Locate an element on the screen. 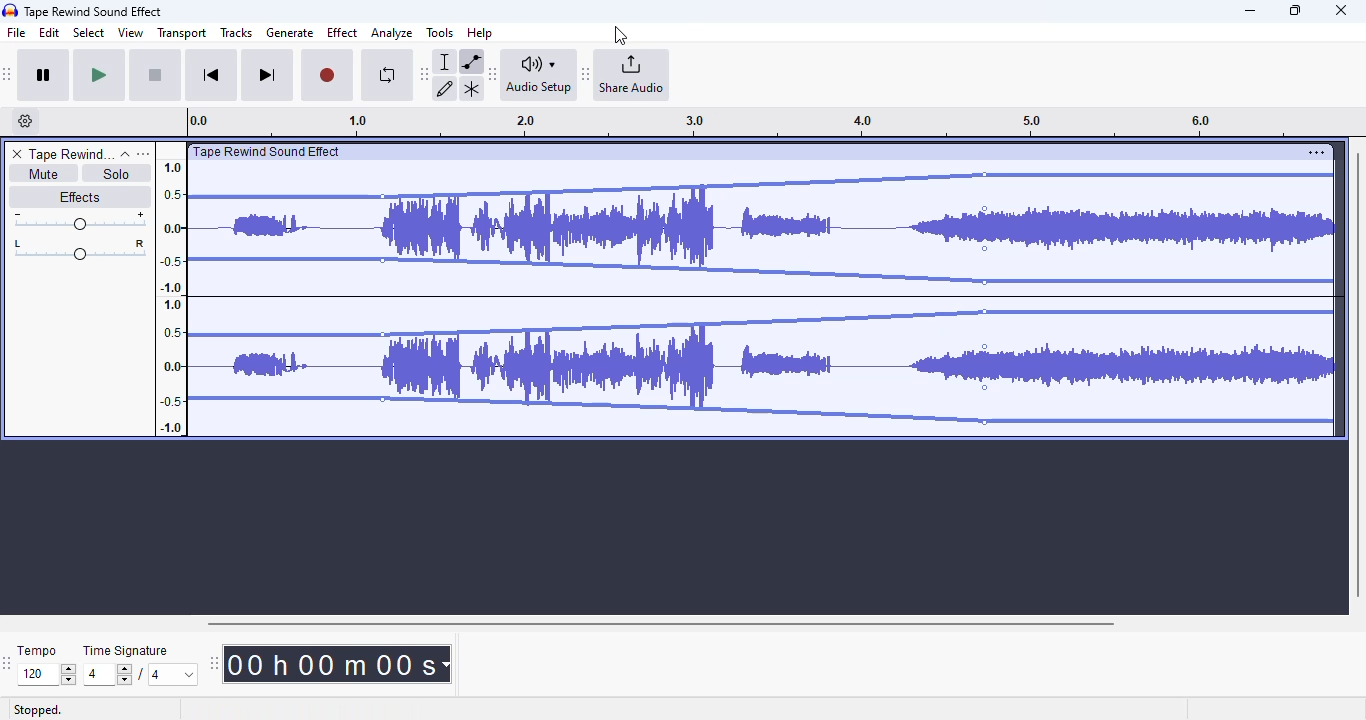 Image resolution: width=1366 pixels, height=720 pixels. Input for time signature is located at coordinates (108, 675).